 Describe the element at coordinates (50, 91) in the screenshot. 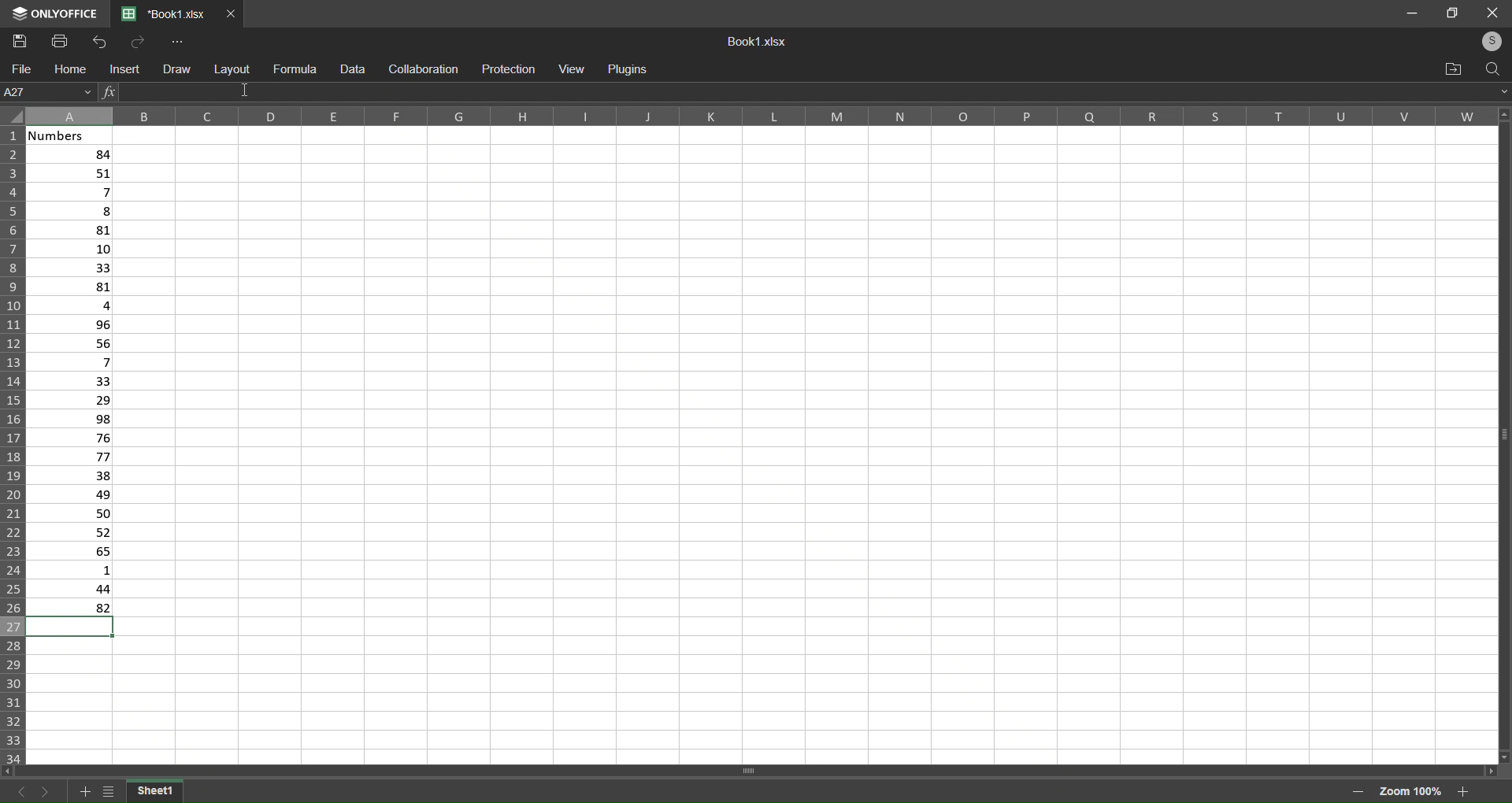

I see `A27` at that location.